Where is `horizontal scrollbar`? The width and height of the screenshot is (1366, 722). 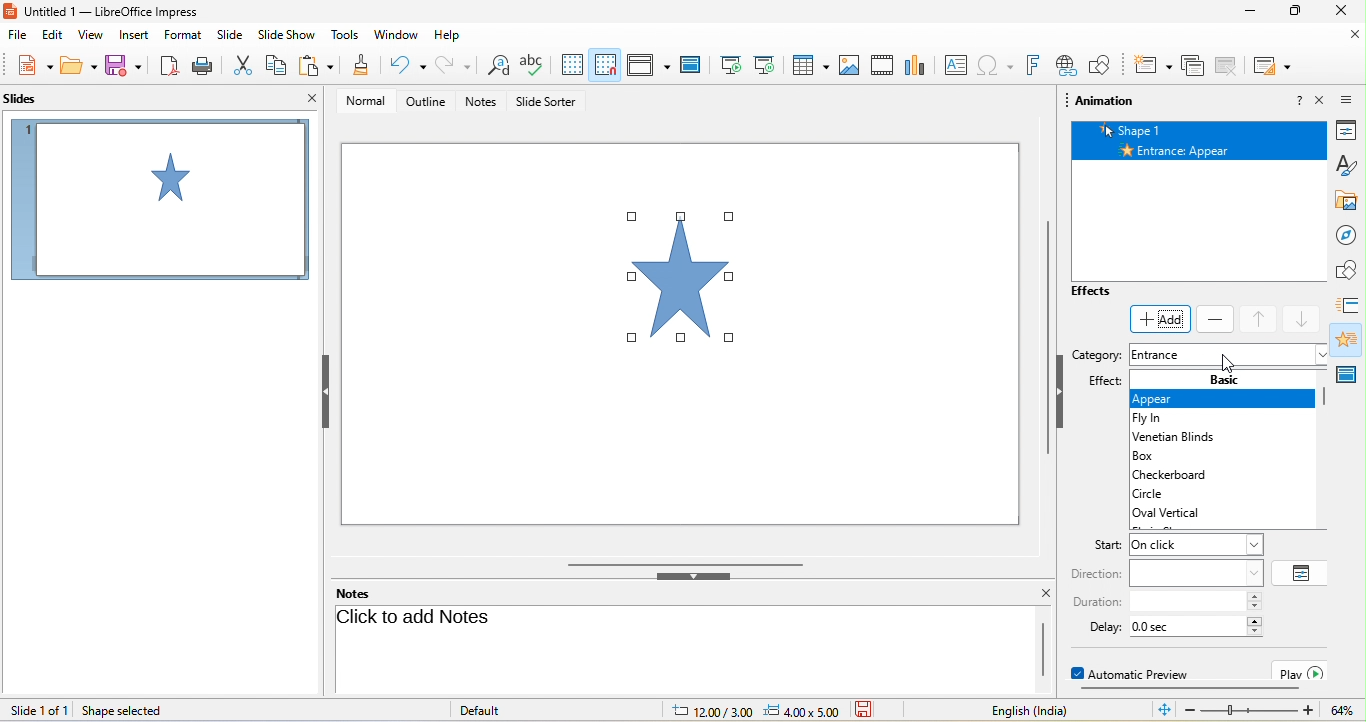
horizontal scrollbar is located at coordinates (688, 563).